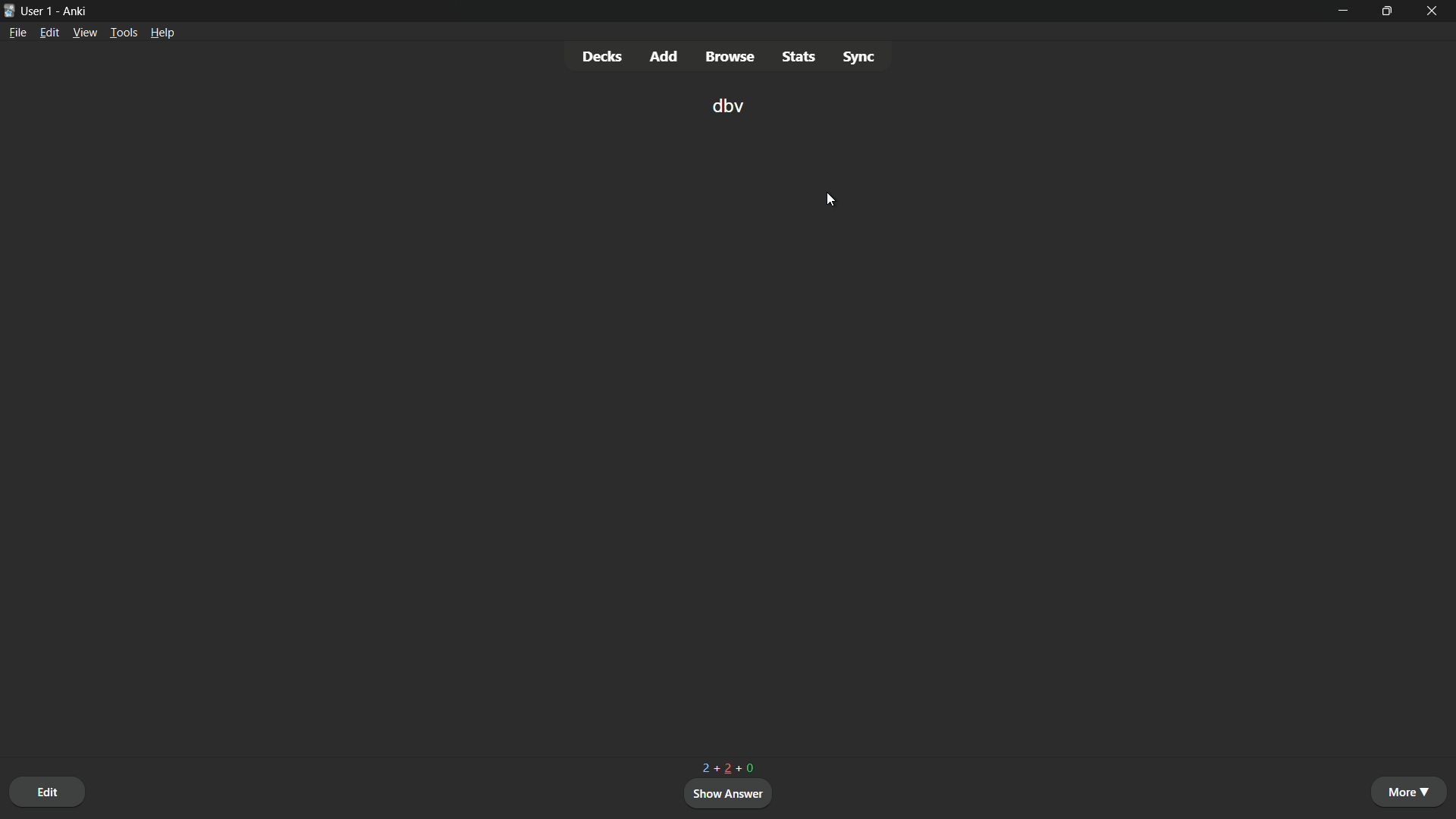 This screenshot has width=1456, height=819. I want to click on sync, so click(859, 55).